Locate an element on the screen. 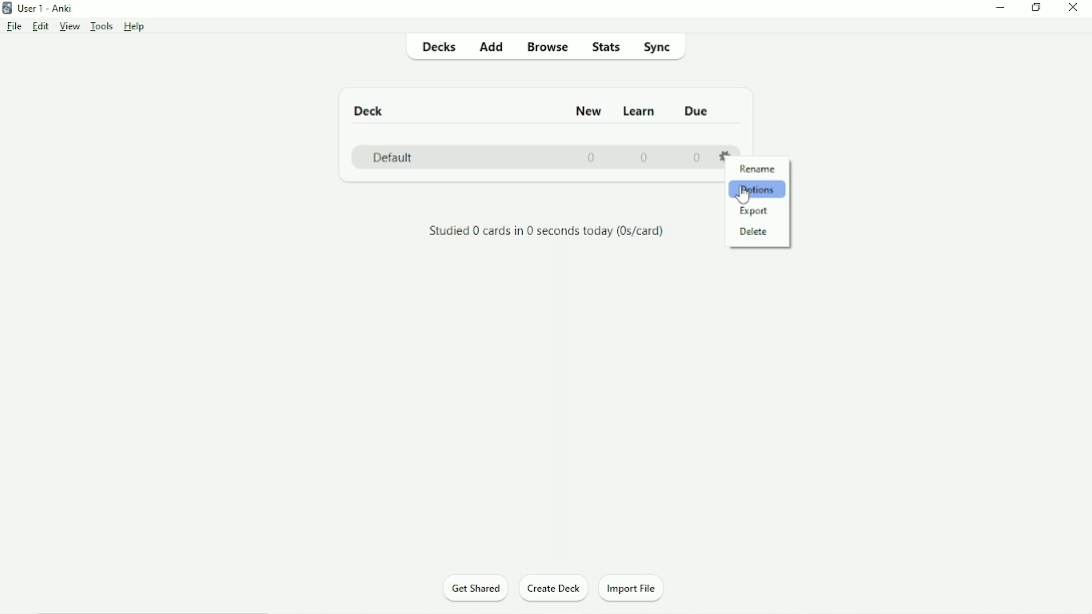  0 is located at coordinates (696, 157).